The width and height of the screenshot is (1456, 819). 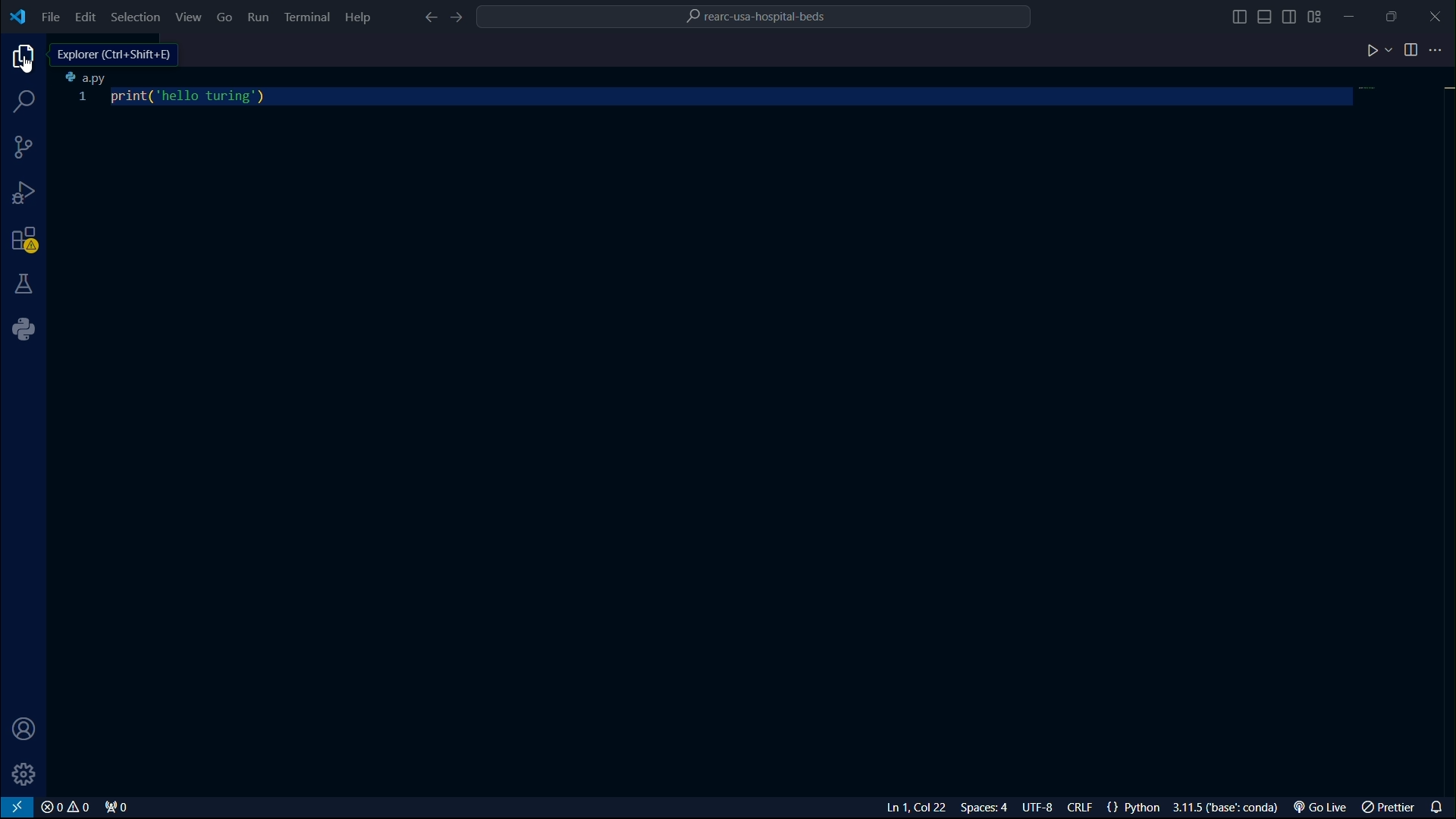 What do you see at coordinates (1389, 807) in the screenshot?
I see `prettier extension` at bounding box center [1389, 807].